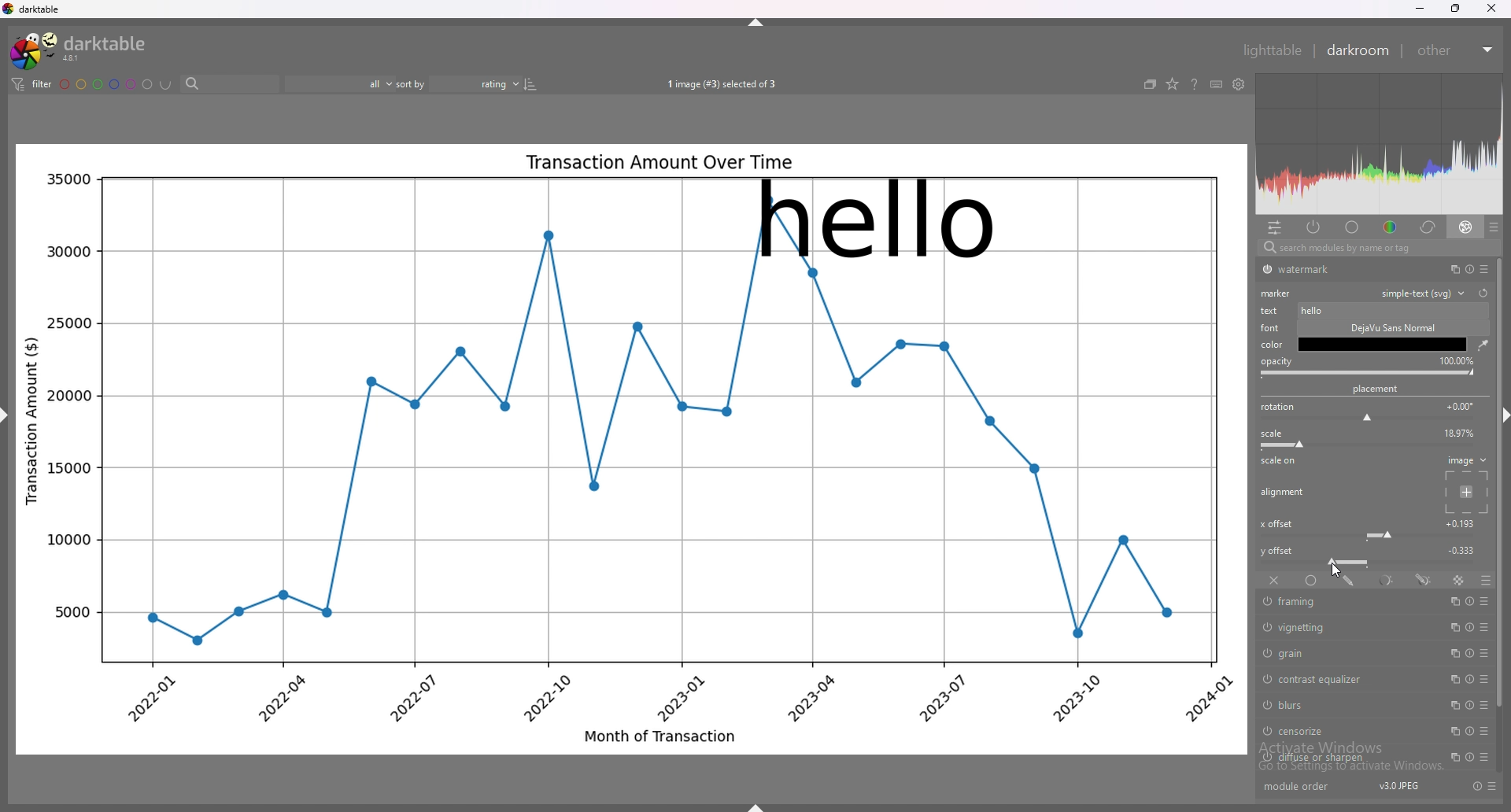 Image resolution: width=1511 pixels, height=812 pixels. What do you see at coordinates (1270, 49) in the screenshot?
I see `lighttable` at bounding box center [1270, 49].